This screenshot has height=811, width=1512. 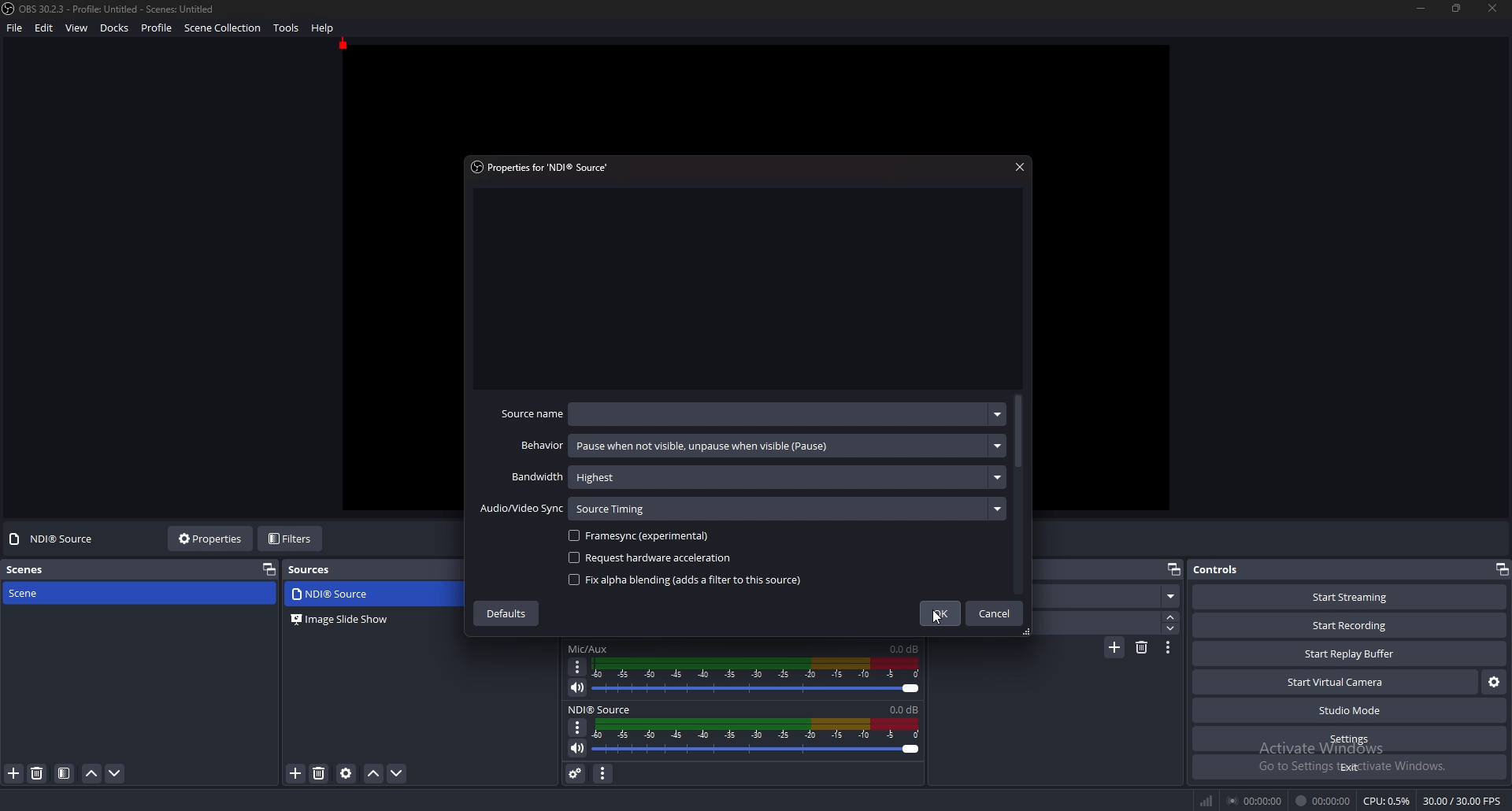 What do you see at coordinates (1171, 617) in the screenshot?
I see `increase duration` at bounding box center [1171, 617].